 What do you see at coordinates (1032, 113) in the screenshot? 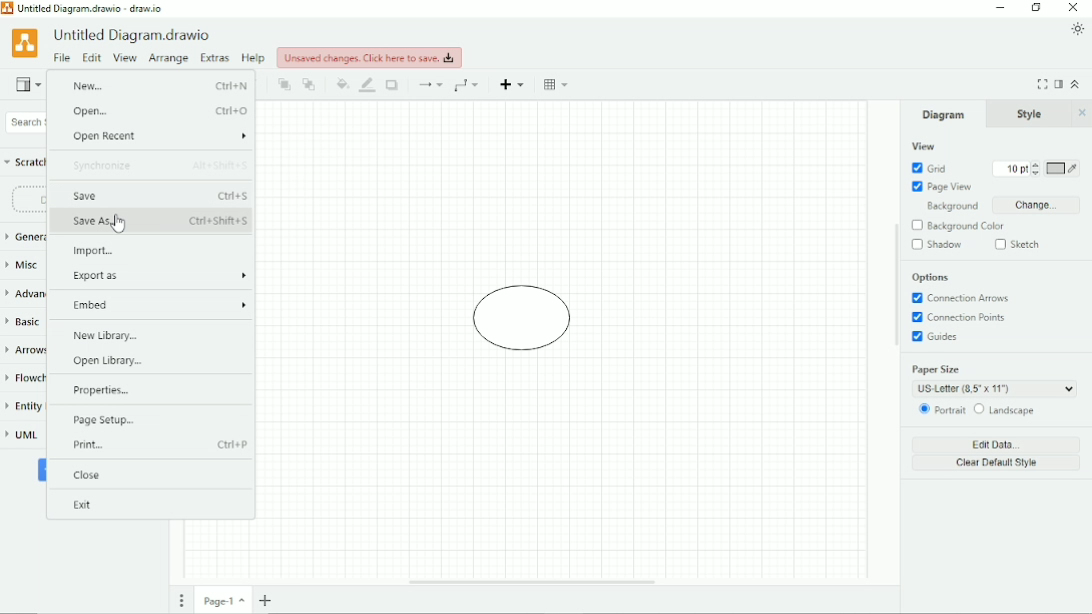
I see `Style` at bounding box center [1032, 113].